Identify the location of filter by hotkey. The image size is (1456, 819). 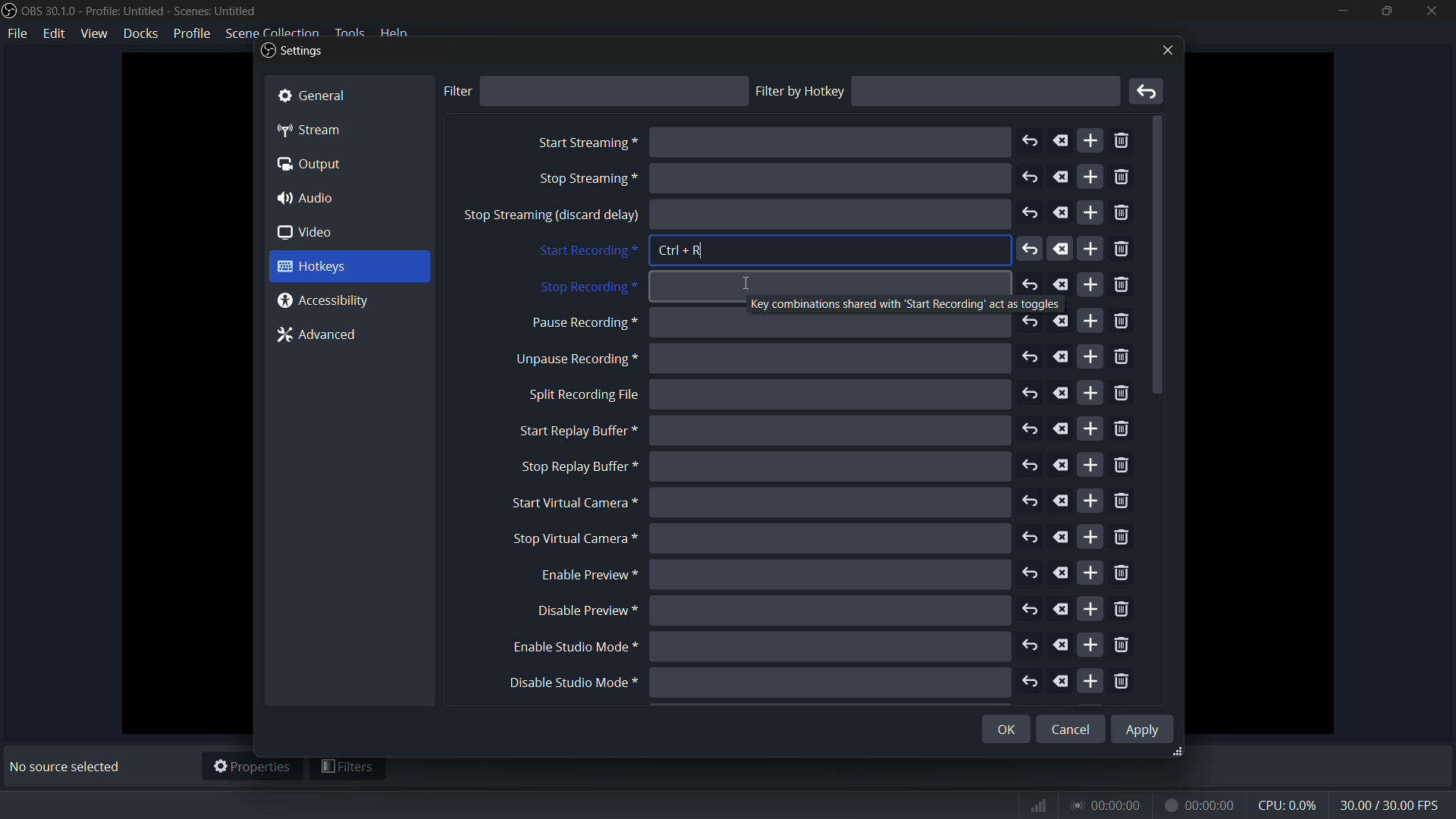
(800, 91).